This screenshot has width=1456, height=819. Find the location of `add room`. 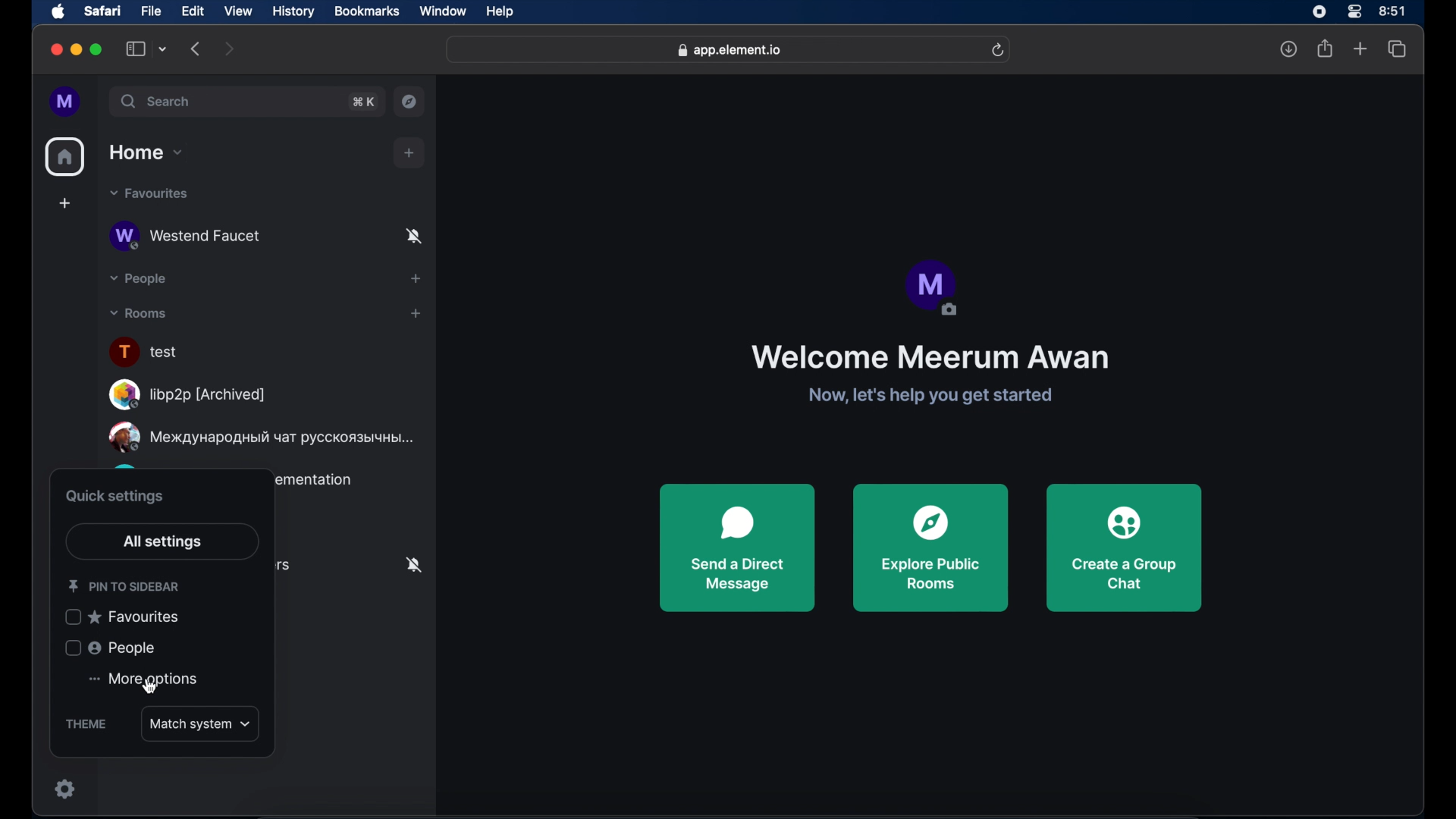

add room is located at coordinates (416, 313).